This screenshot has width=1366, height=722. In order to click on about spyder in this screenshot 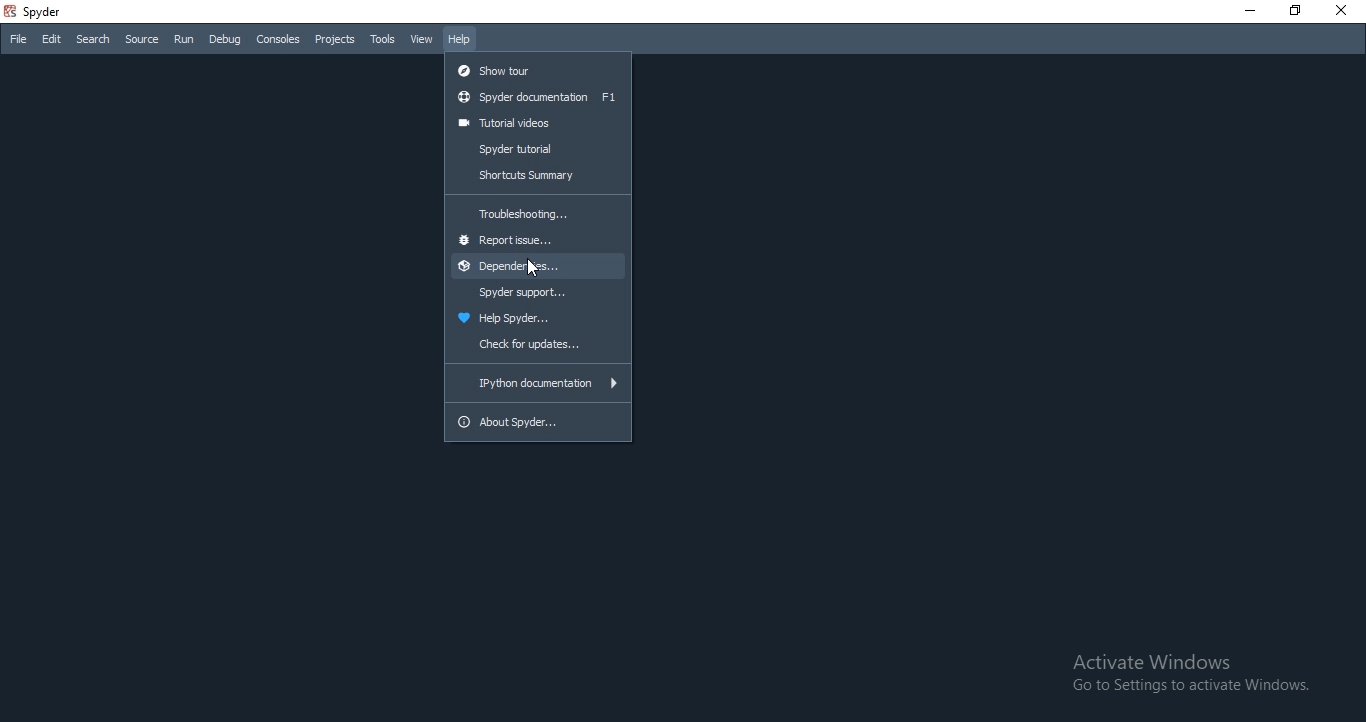, I will do `click(539, 426)`.